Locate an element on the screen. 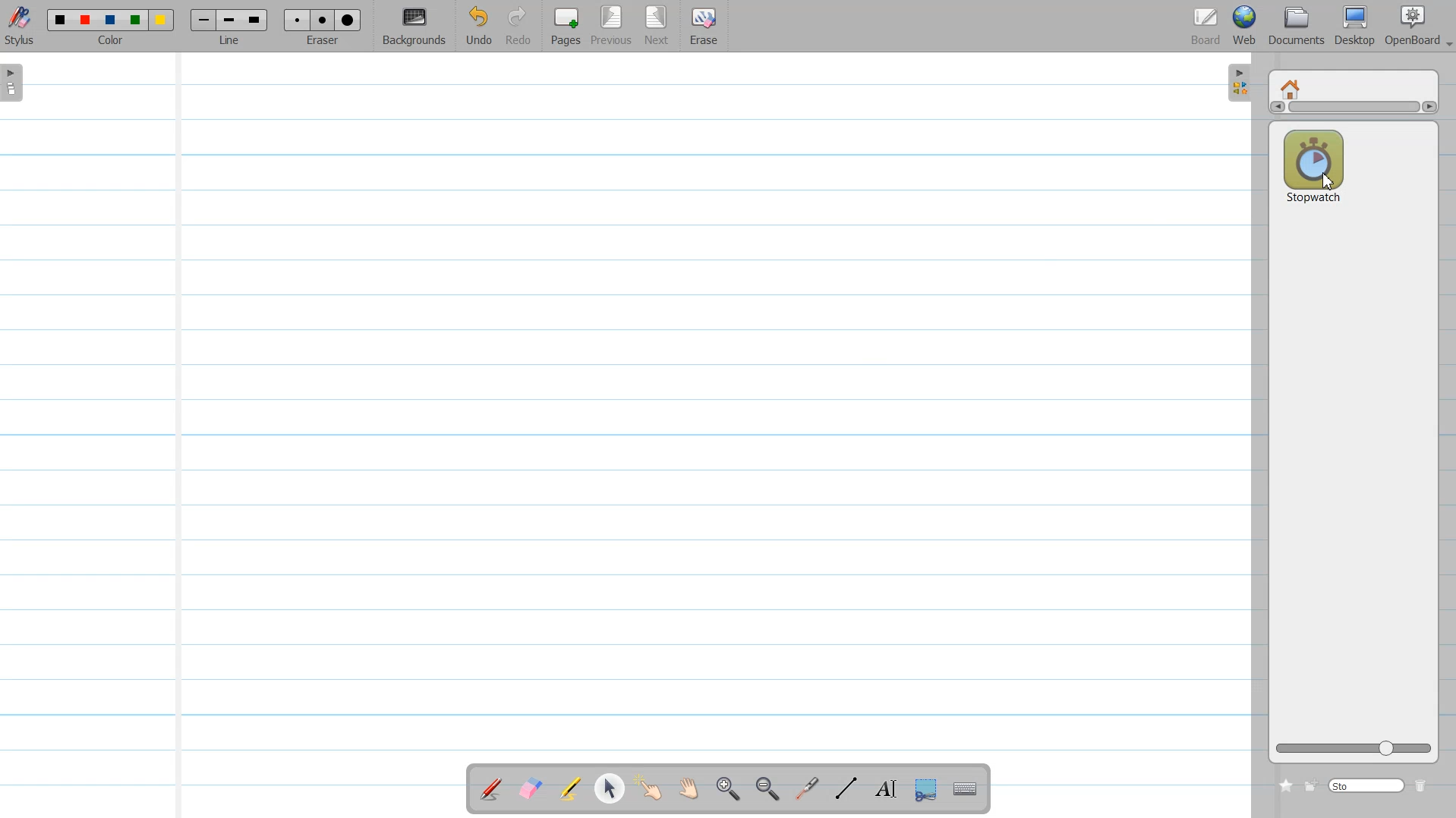 The width and height of the screenshot is (1456, 818). Zoom in is located at coordinates (729, 789).